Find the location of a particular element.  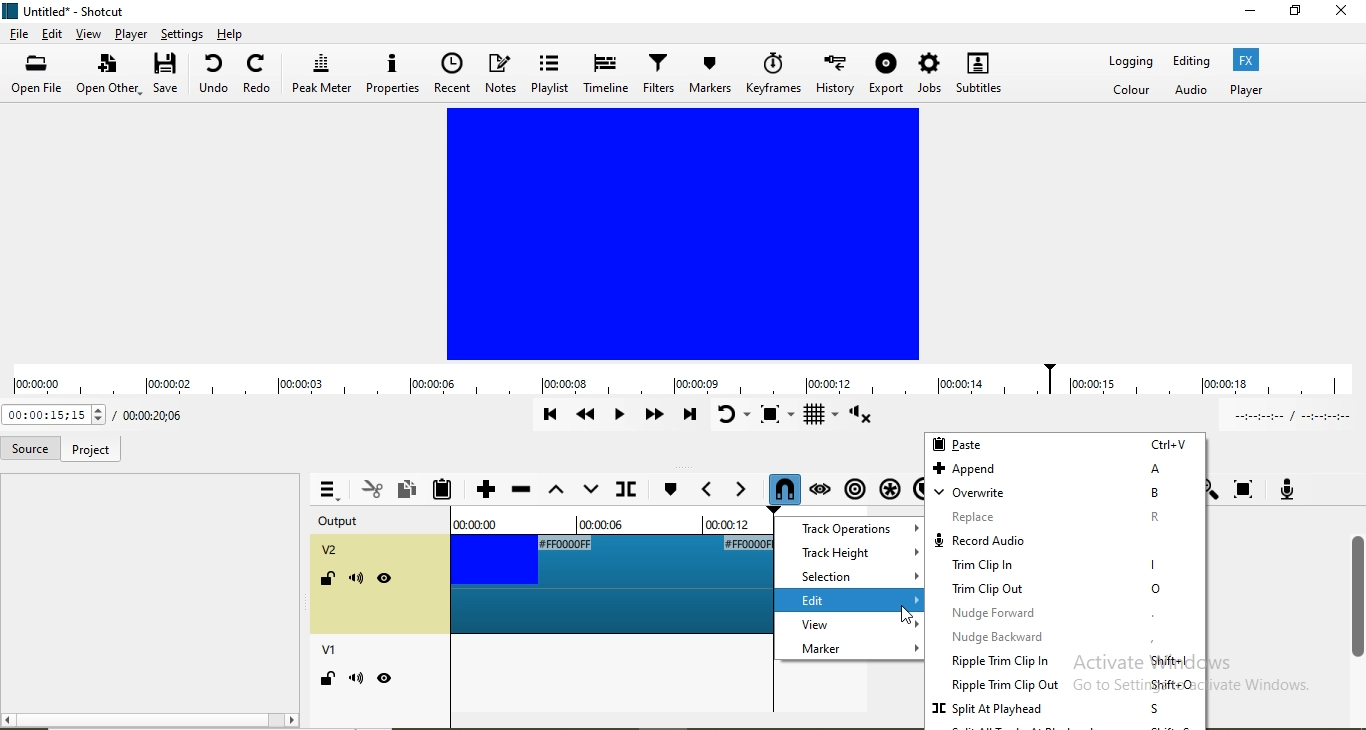

file is located at coordinates (19, 36).